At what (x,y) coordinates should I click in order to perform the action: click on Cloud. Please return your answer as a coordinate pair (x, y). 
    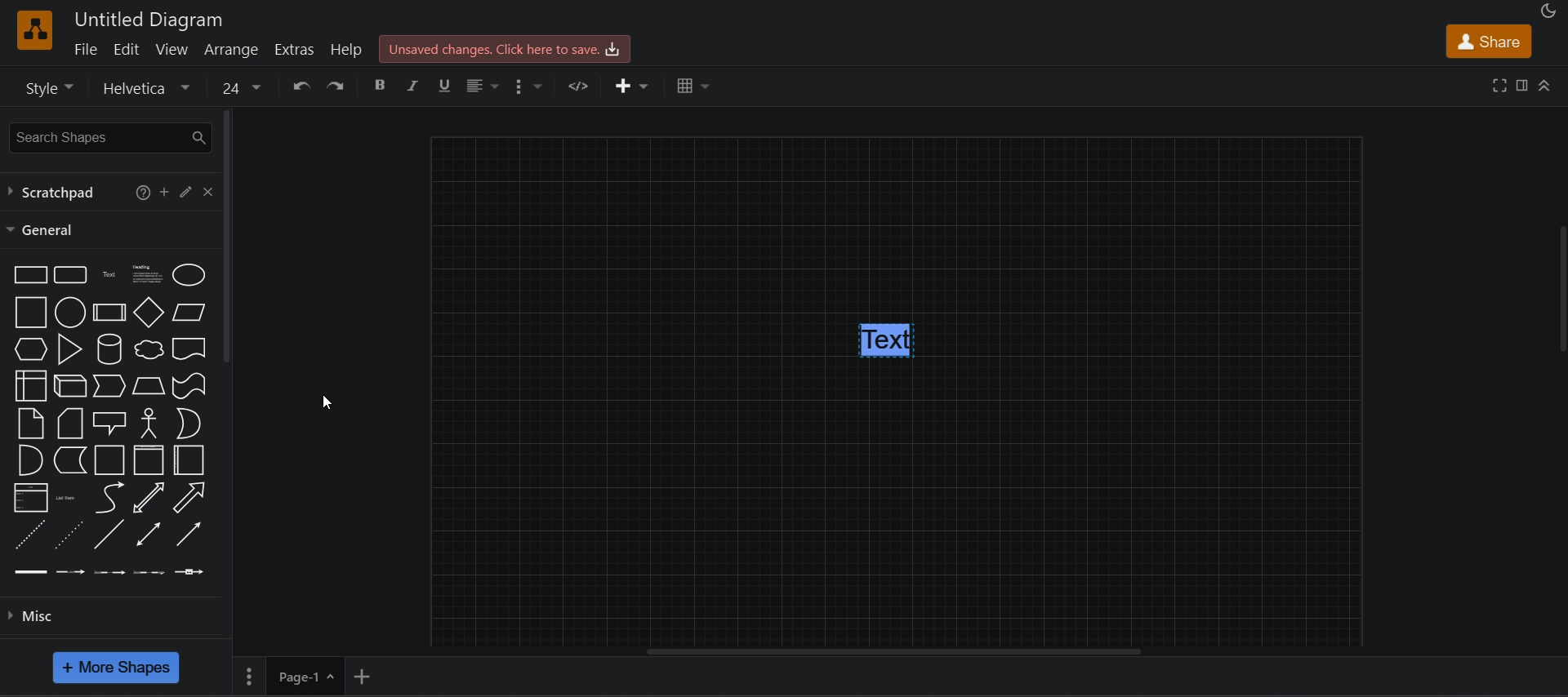
    Looking at the image, I should click on (149, 349).